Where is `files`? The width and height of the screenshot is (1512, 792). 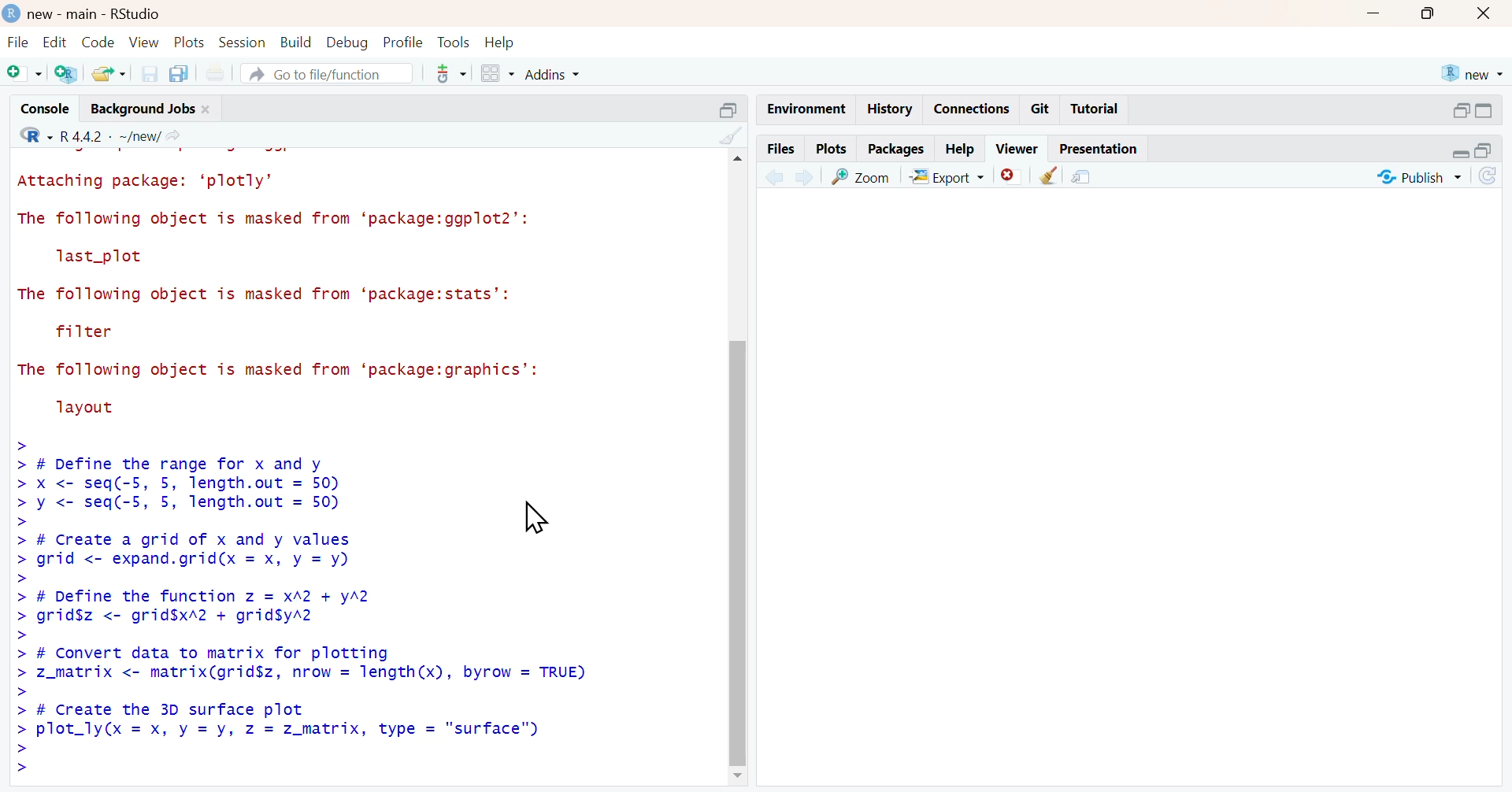
files is located at coordinates (780, 148).